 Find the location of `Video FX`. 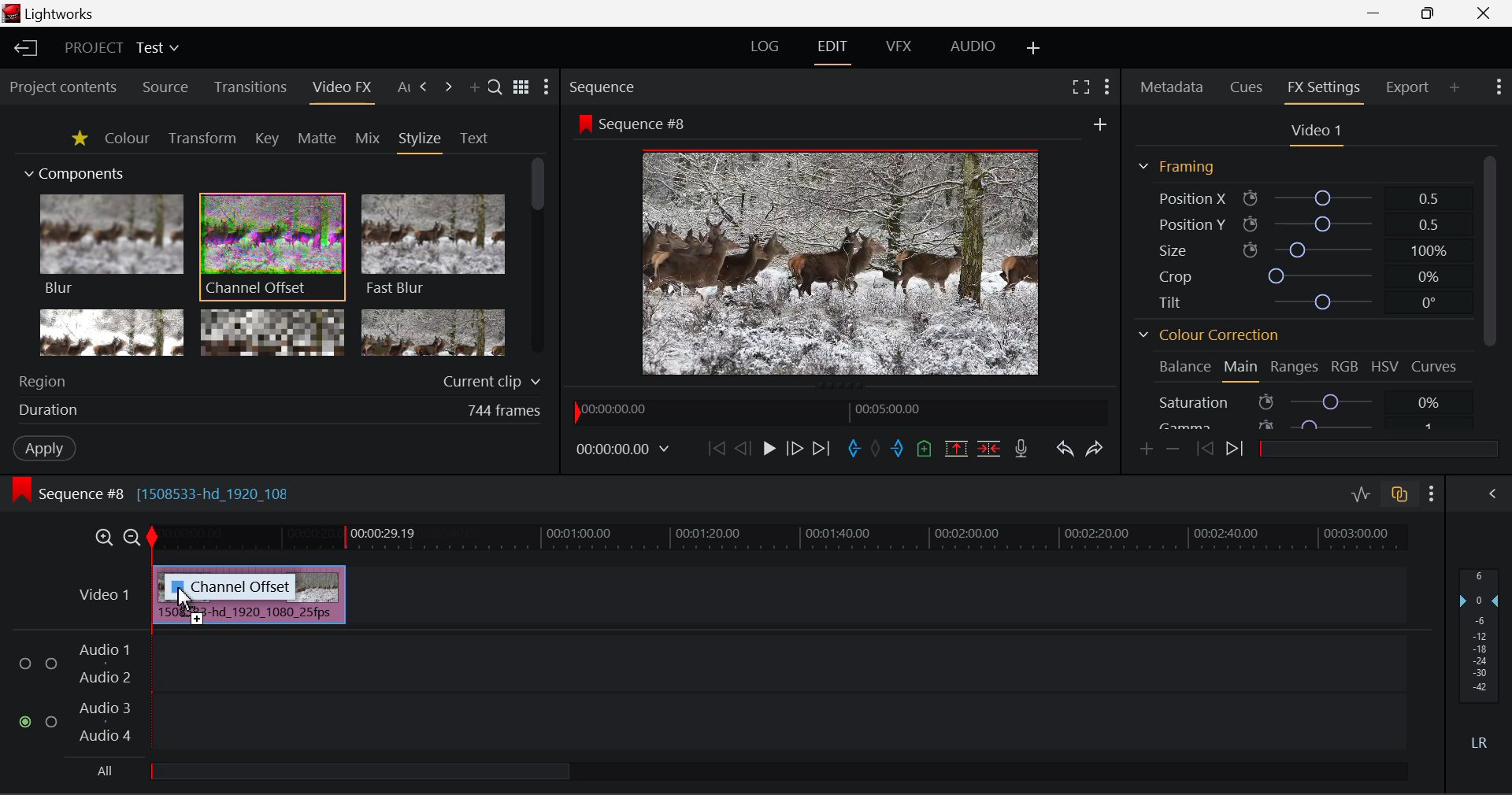

Video FX is located at coordinates (341, 91).